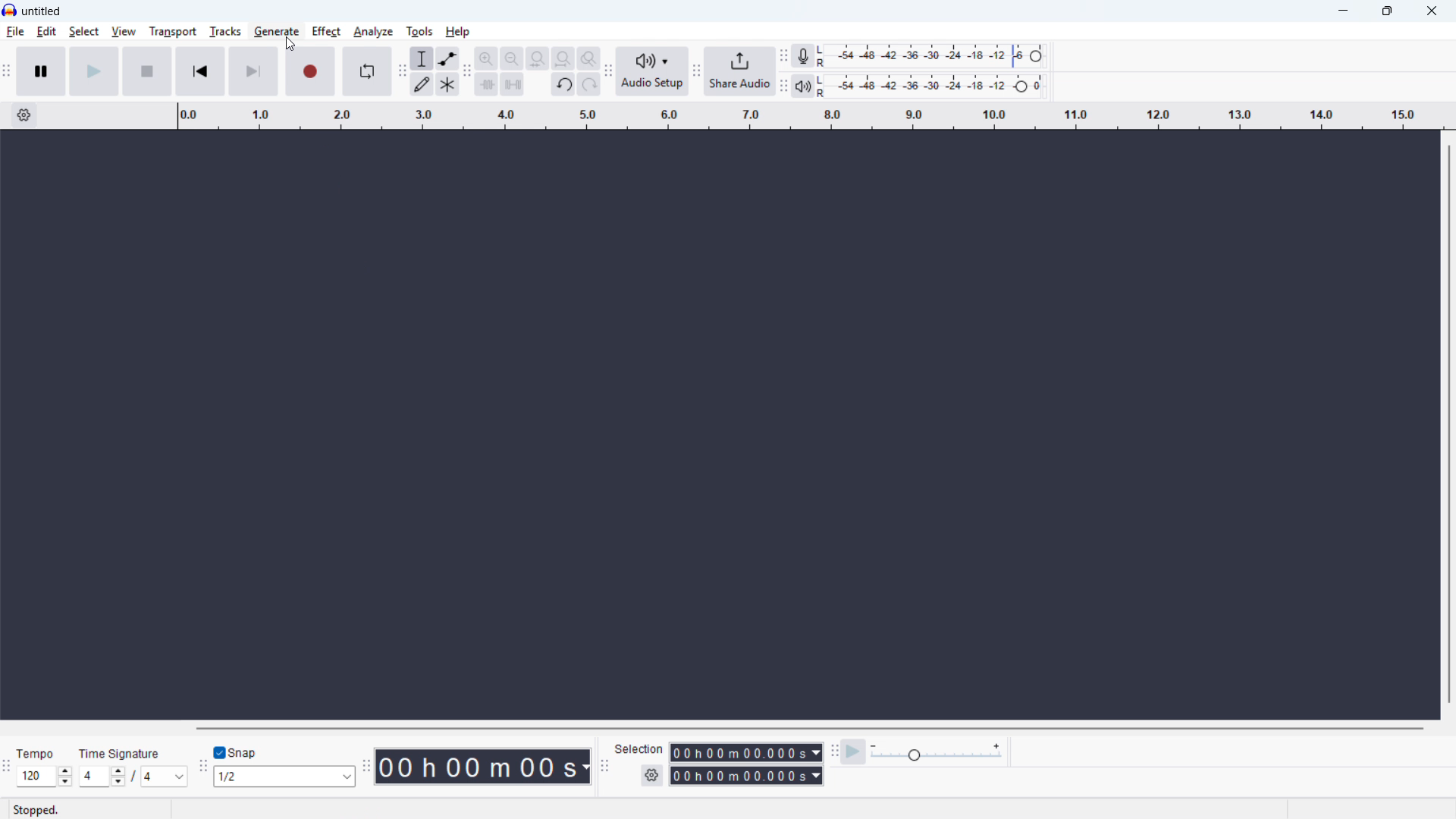  What do you see at coordinates (41, 70) in the screenshot?
I see `Pause ` at bounding box center [41, 70].